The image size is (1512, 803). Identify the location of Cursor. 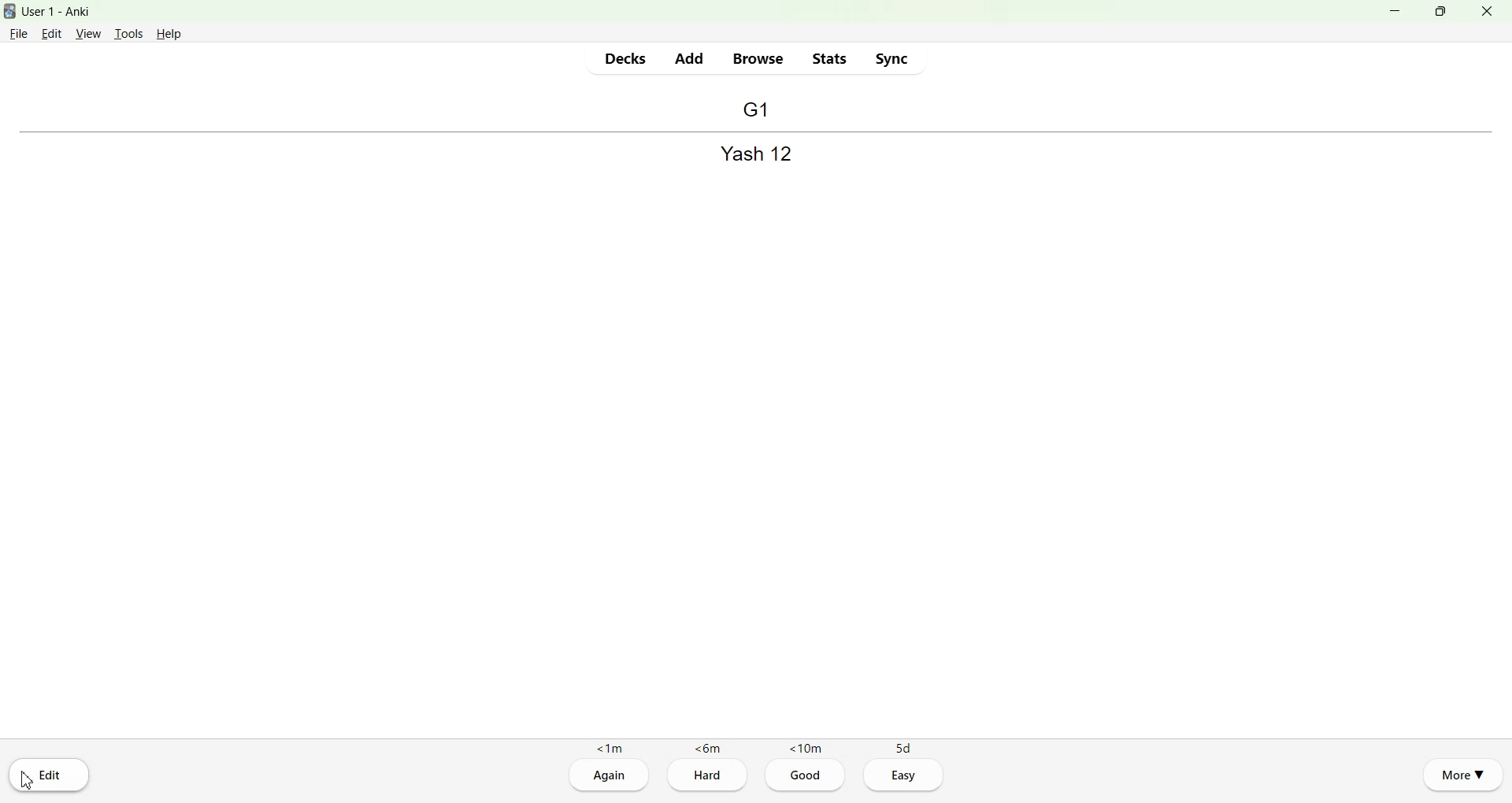
(27, 779).